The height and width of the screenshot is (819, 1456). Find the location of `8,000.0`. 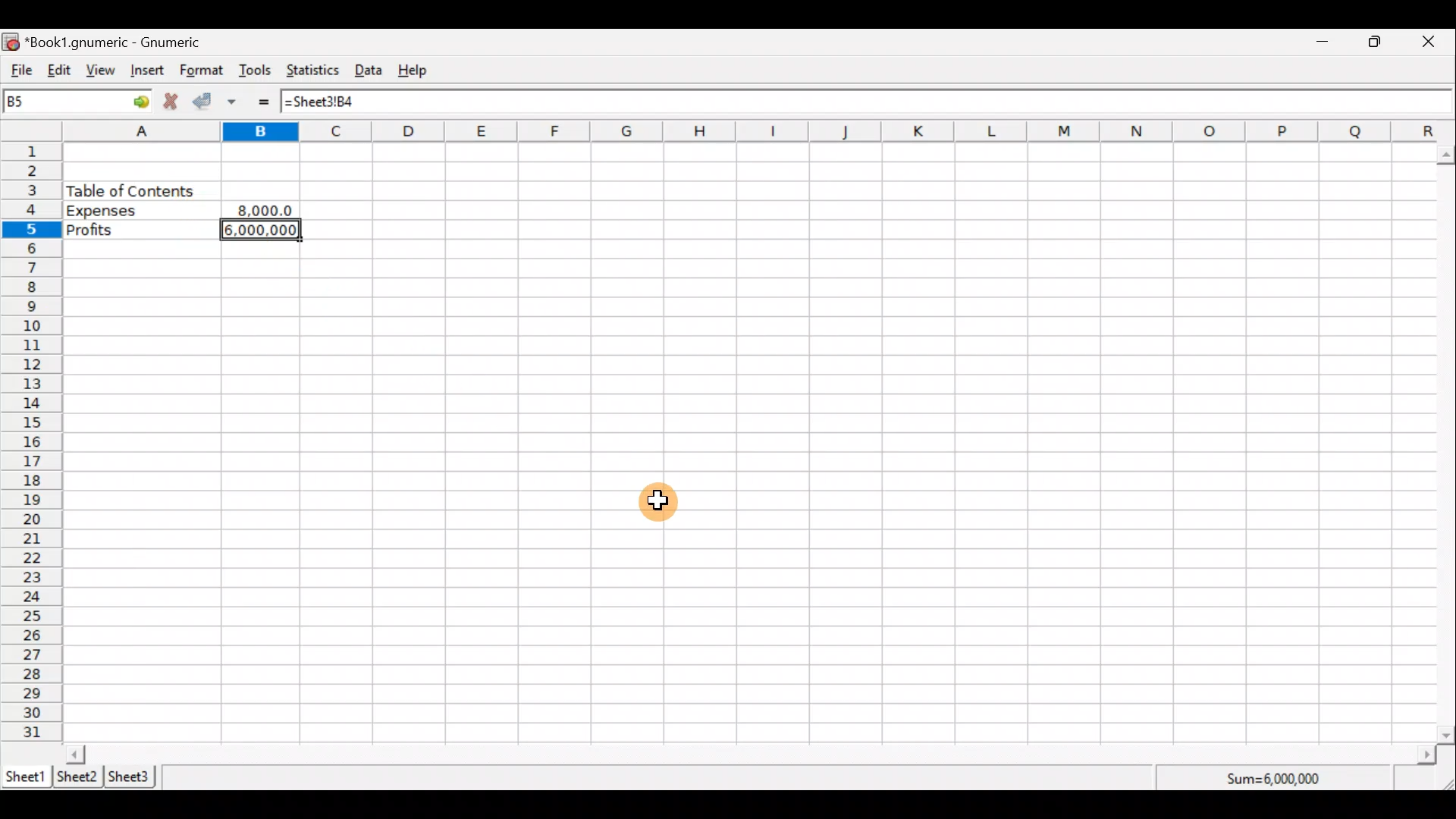

8,000.0 is located at coordinates (264, 211).